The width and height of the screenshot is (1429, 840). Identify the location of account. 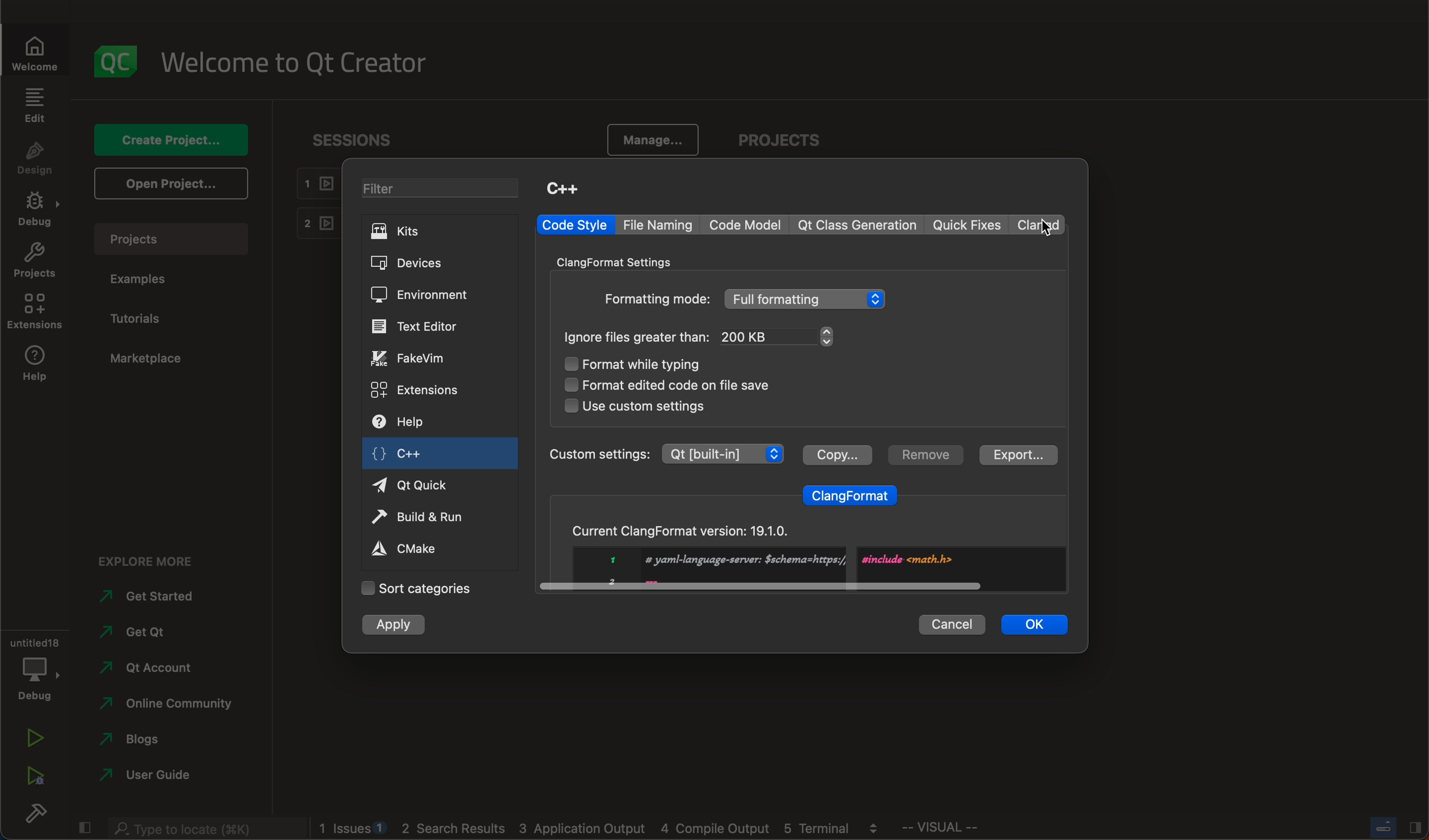
(153, 667).